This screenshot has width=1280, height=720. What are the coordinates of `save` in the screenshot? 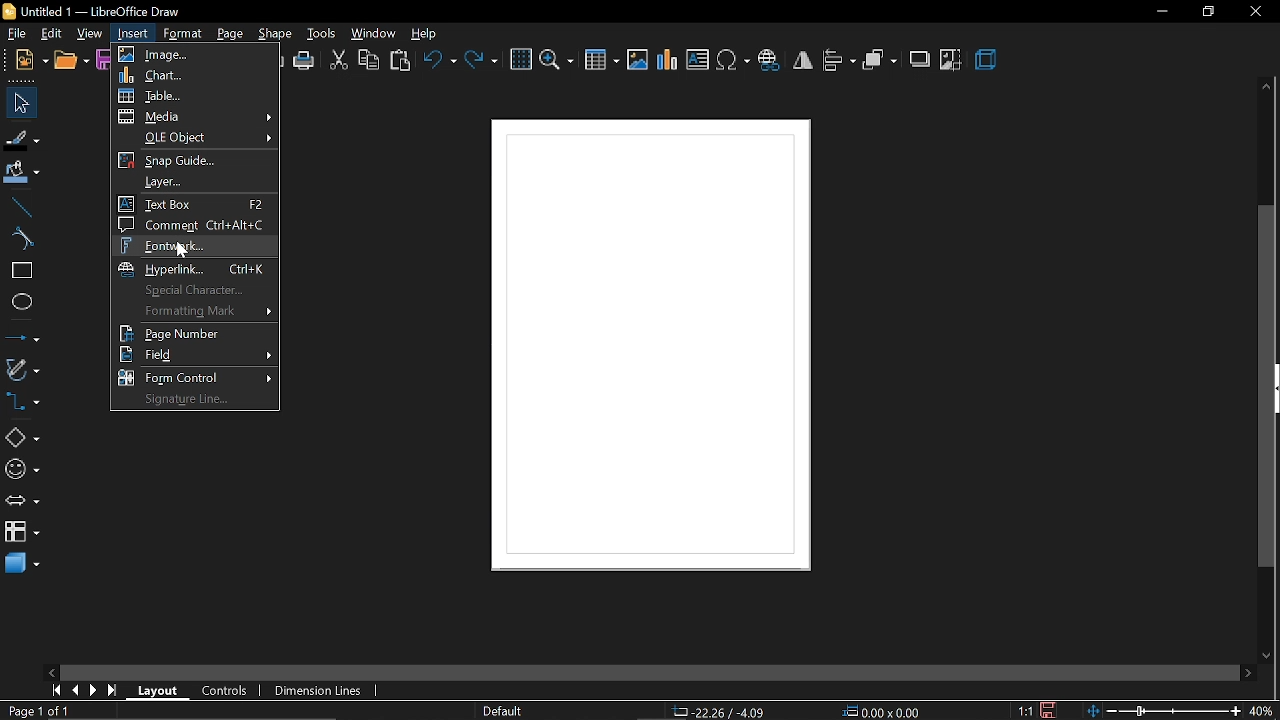 It's located at (104, 62).